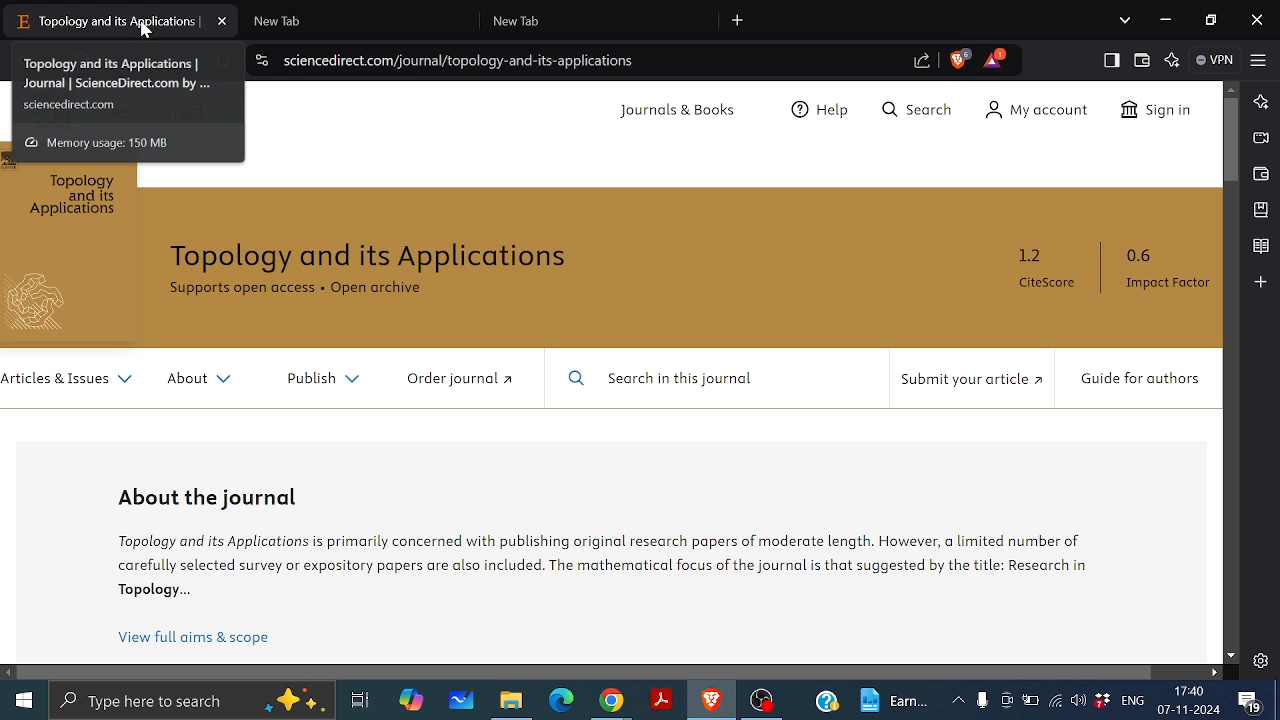 This screenshot has height=720, width=1280. I want to click on Move right, so click(1215, 674).